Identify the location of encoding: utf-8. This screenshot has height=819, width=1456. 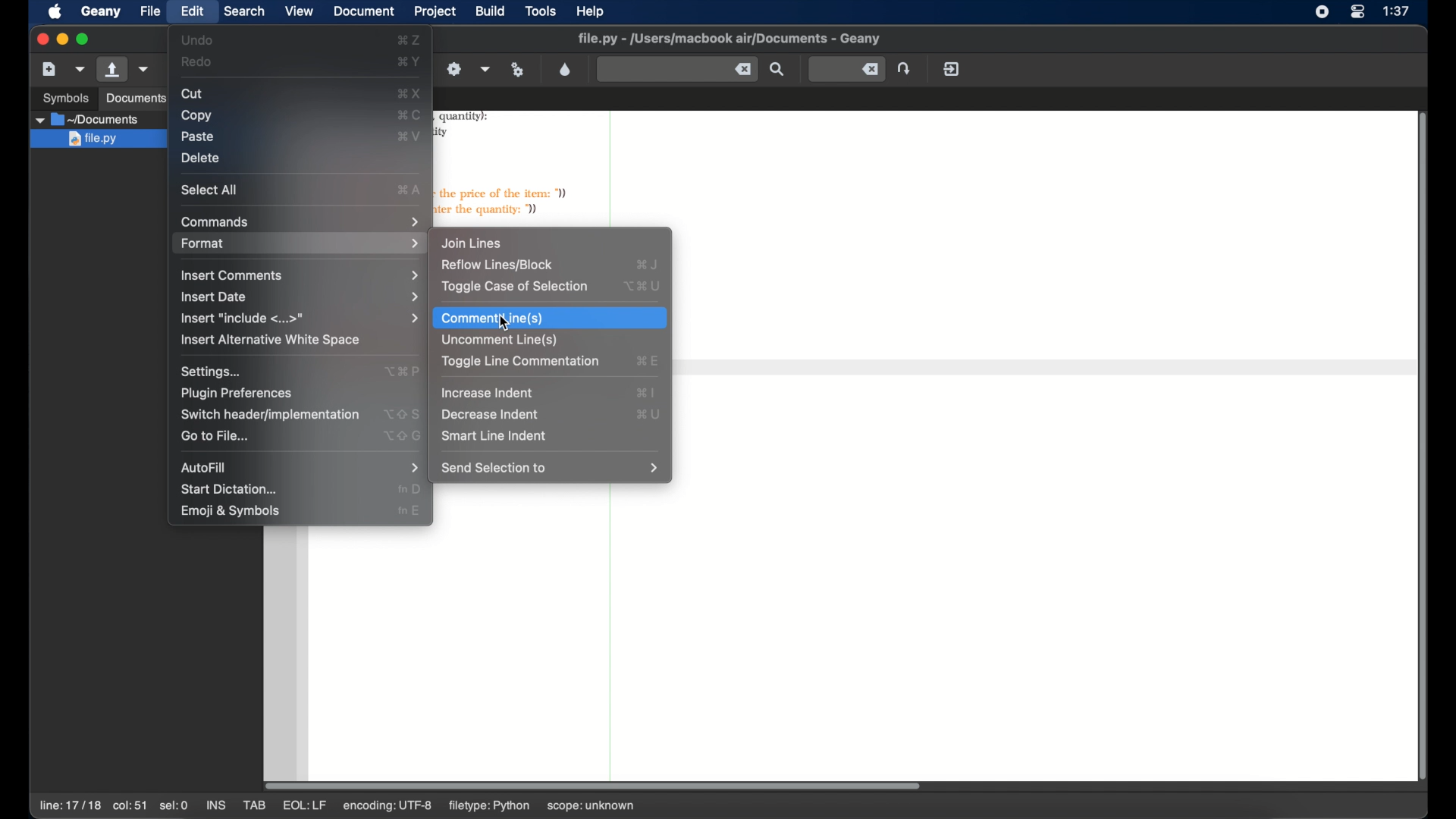
(393, 807).